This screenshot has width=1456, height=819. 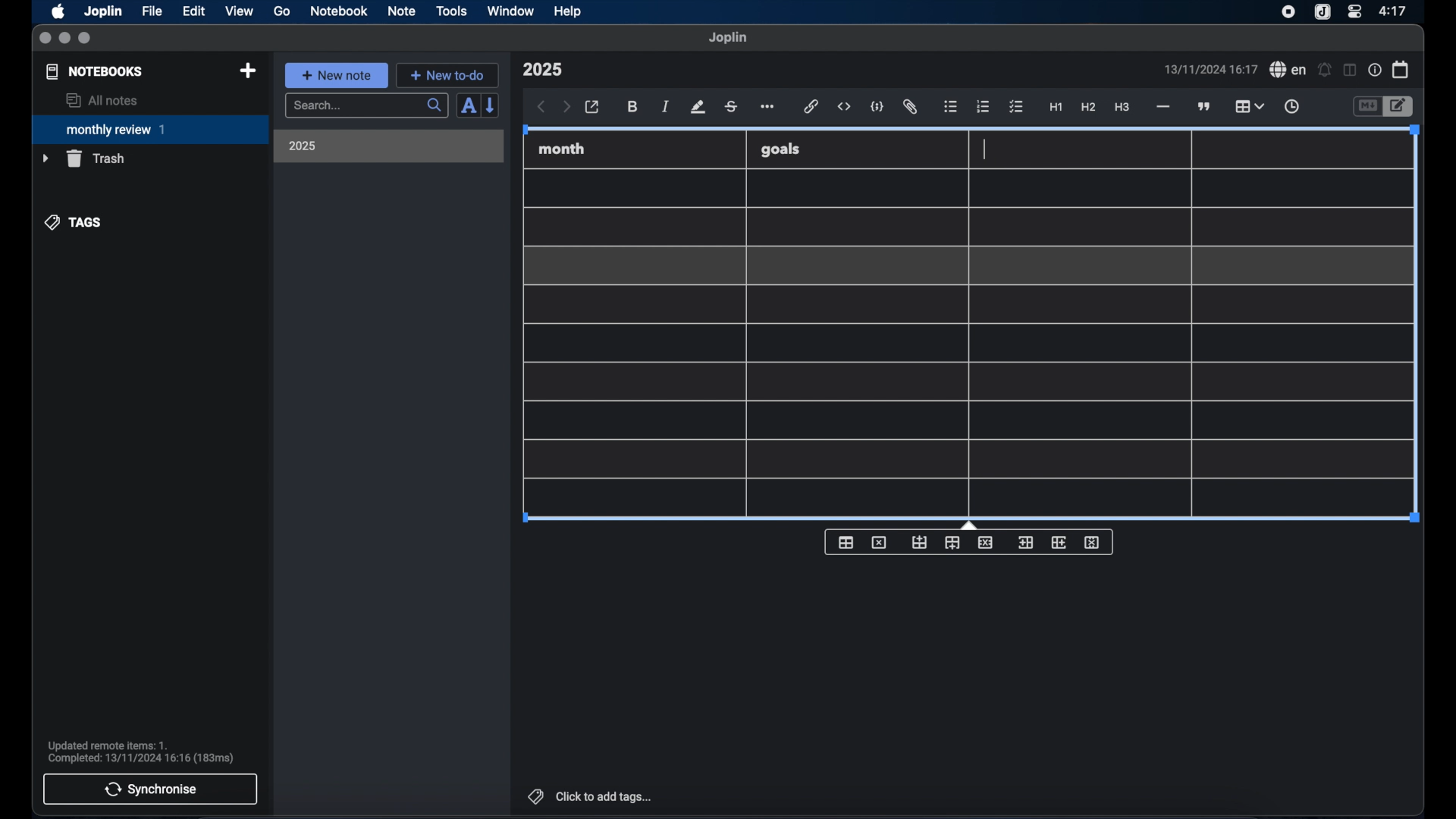 What do you see at coordinates (1354, 11) in the screenshot?
I see `control center` at bounding box center [1354, 11].